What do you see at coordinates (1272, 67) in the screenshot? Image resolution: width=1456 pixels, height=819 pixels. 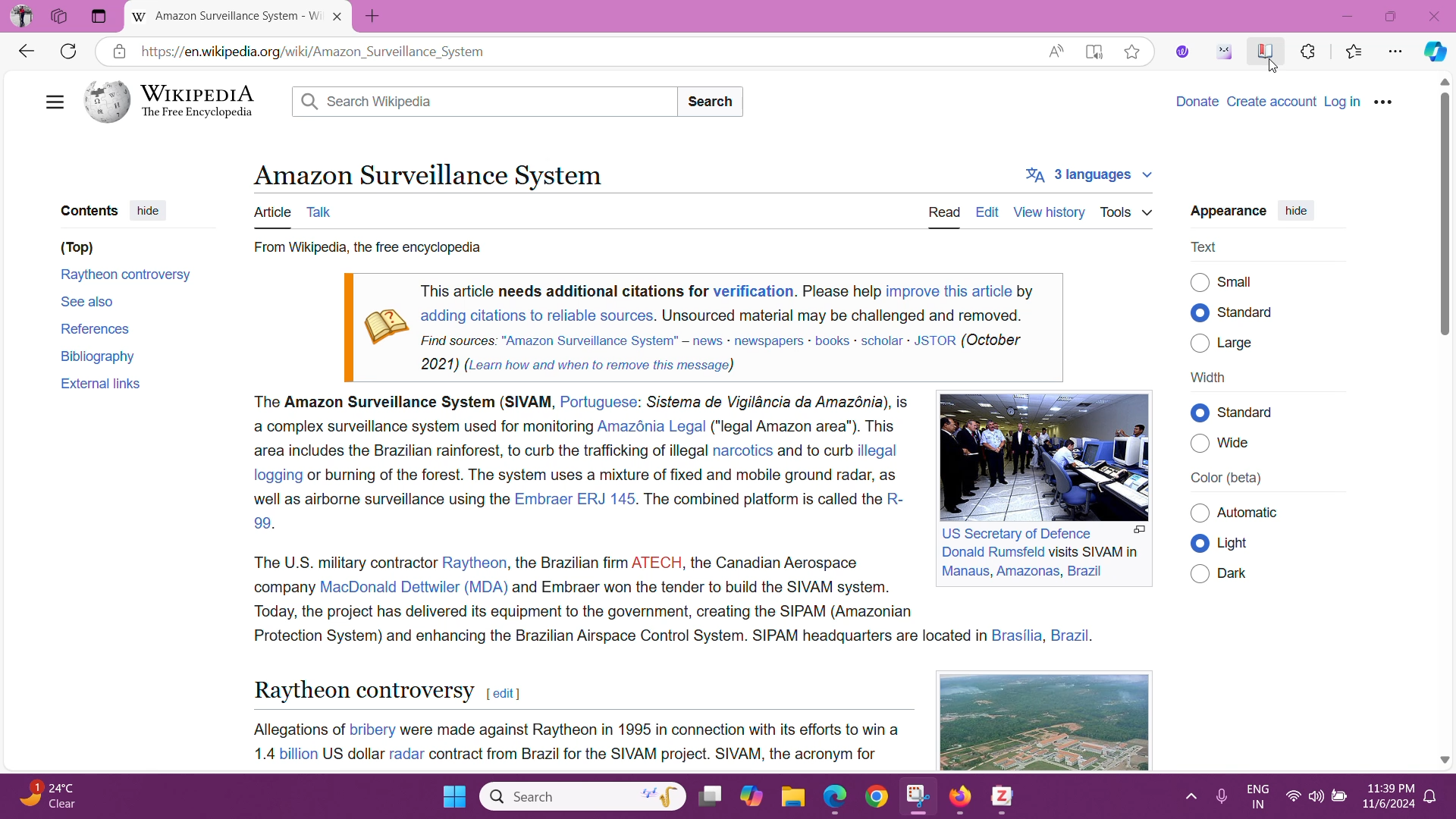 I see `cursor` at bounding box center [1272, 67].